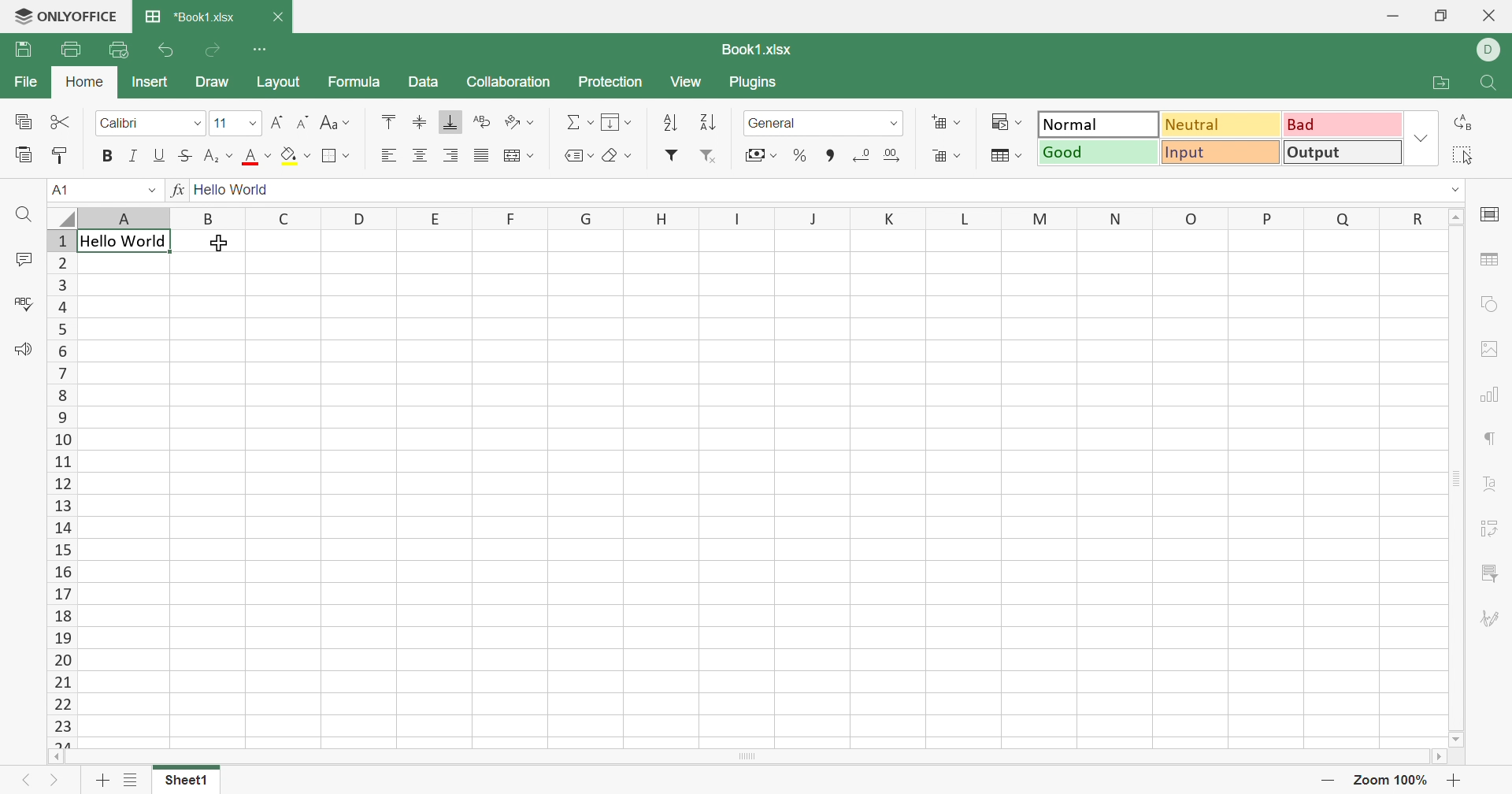  I want to click on Scroll left, so click(54, 757).